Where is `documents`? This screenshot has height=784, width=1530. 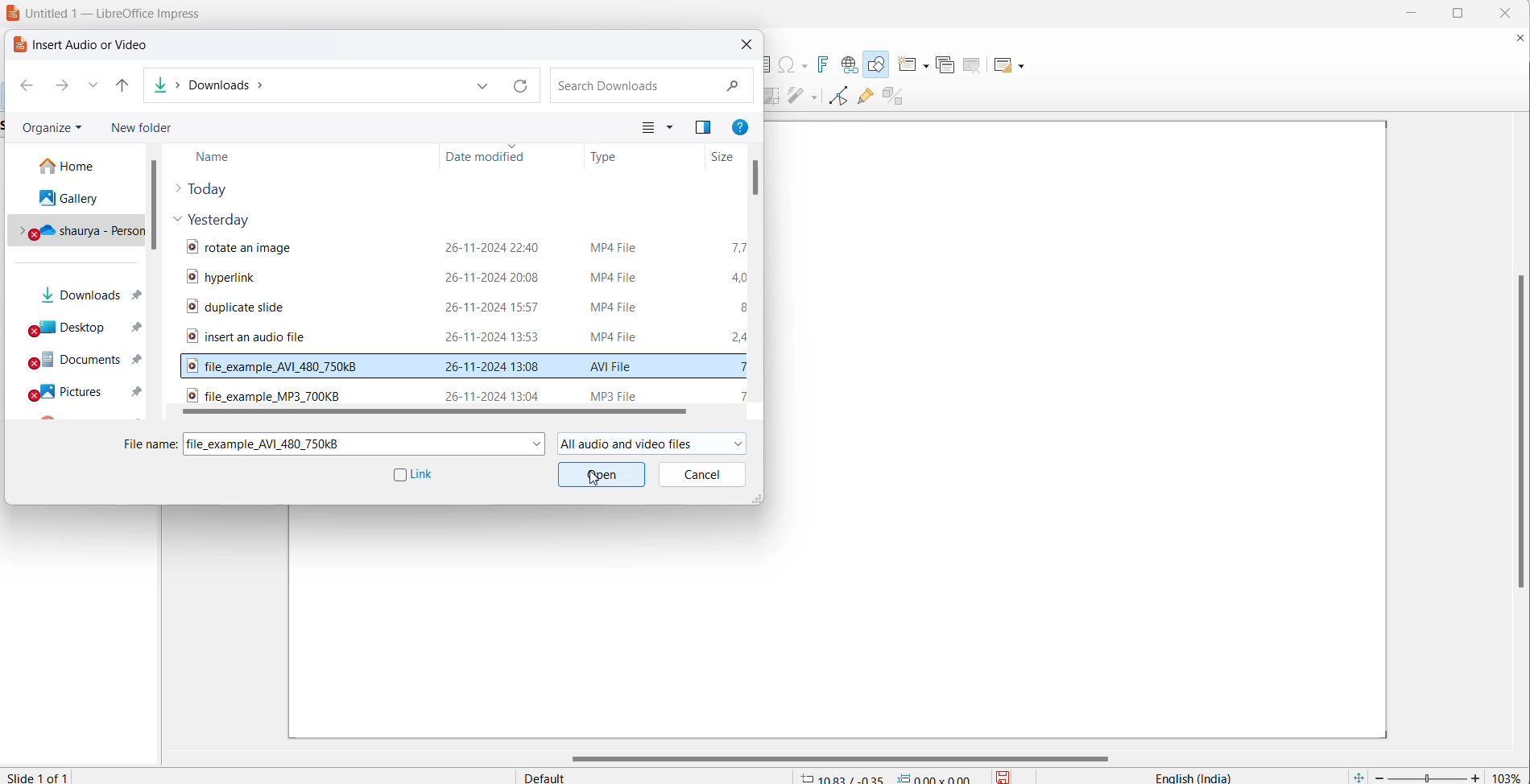
documents is located at coordinates (78, 359).